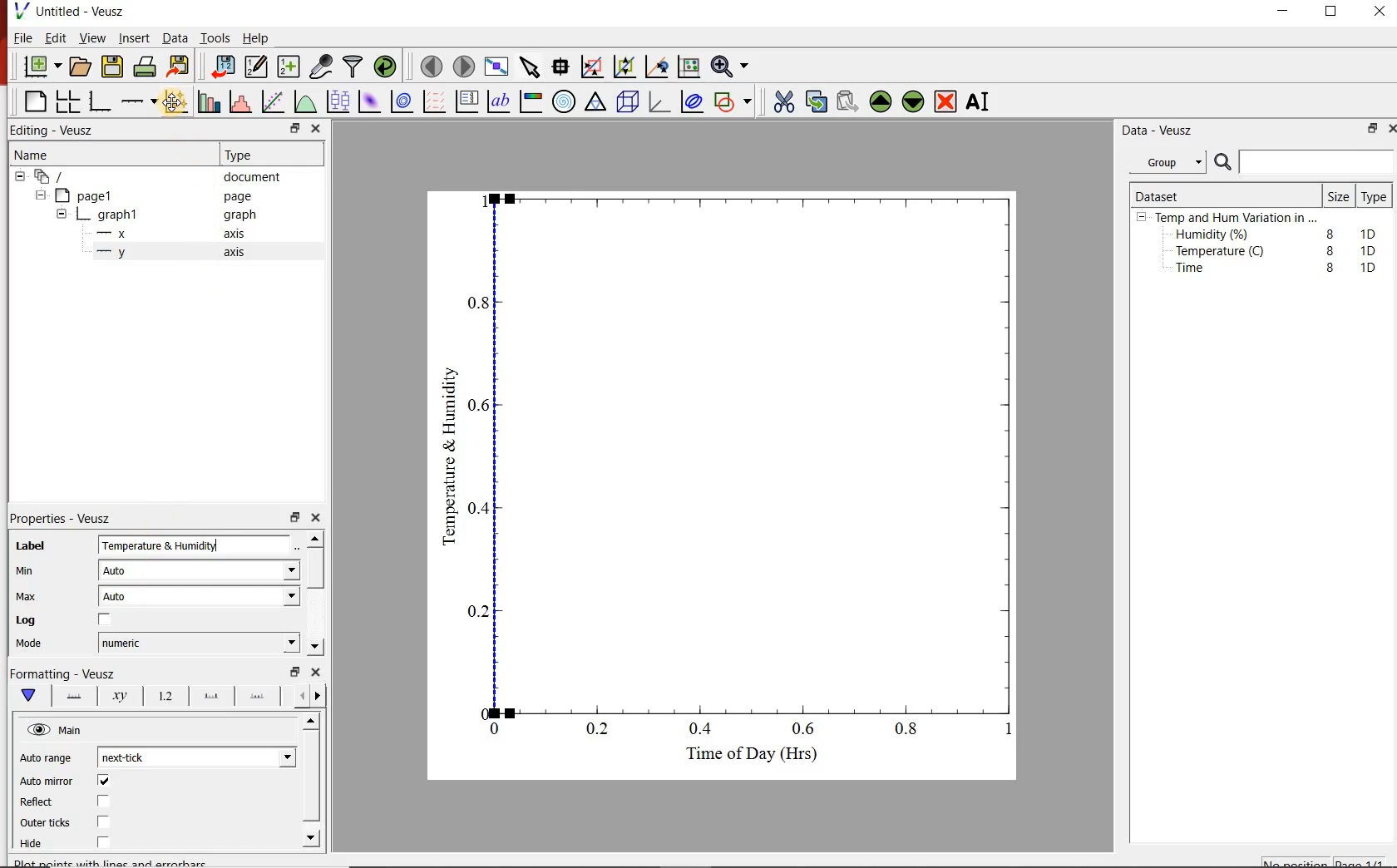  What do you see at coordinates (93, 195) in the screenshot?
I see `page1` at bounding box center [93, 195].